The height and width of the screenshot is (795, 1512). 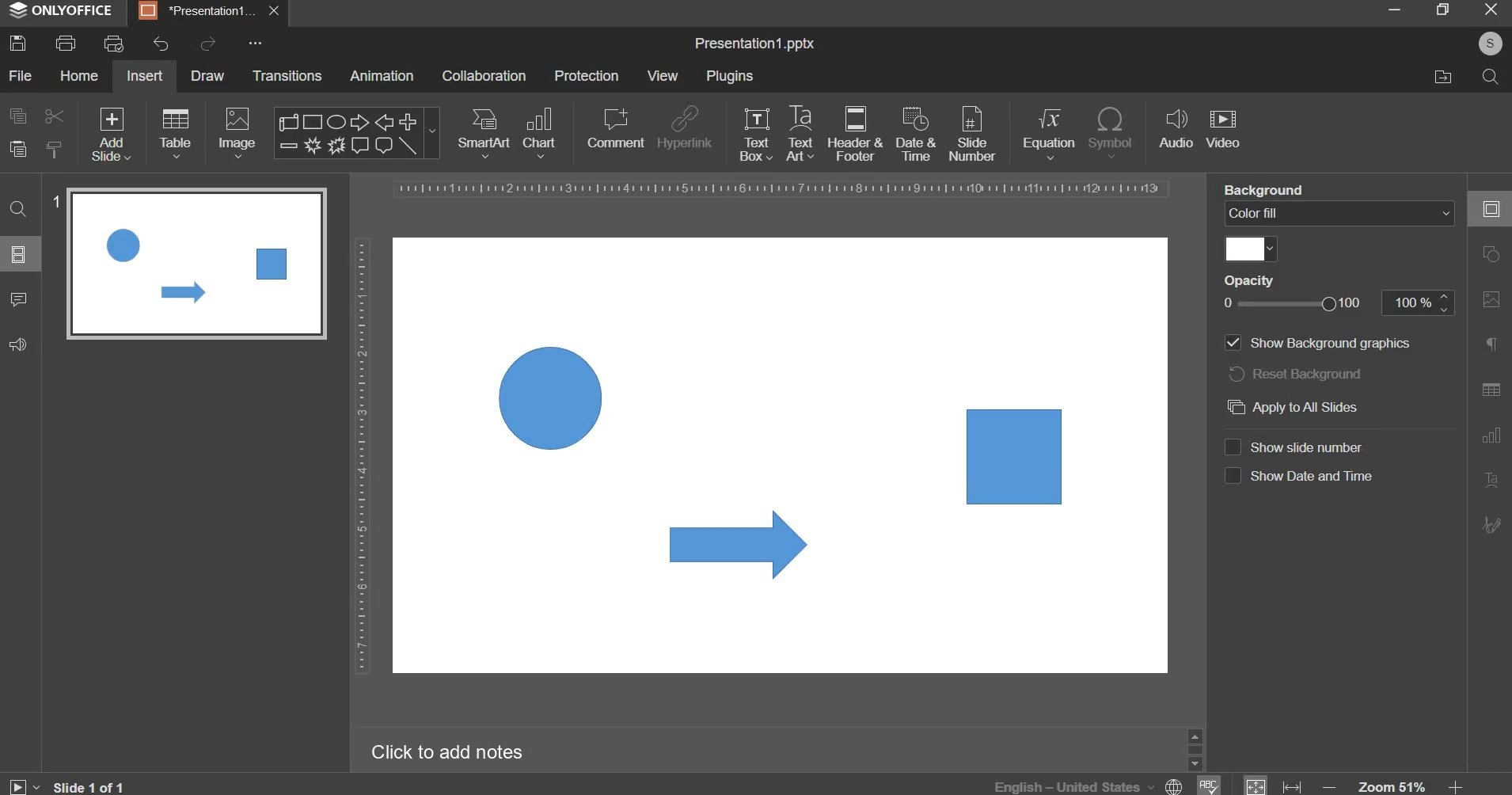 I want to click on shape, so click(x=355, y=133).